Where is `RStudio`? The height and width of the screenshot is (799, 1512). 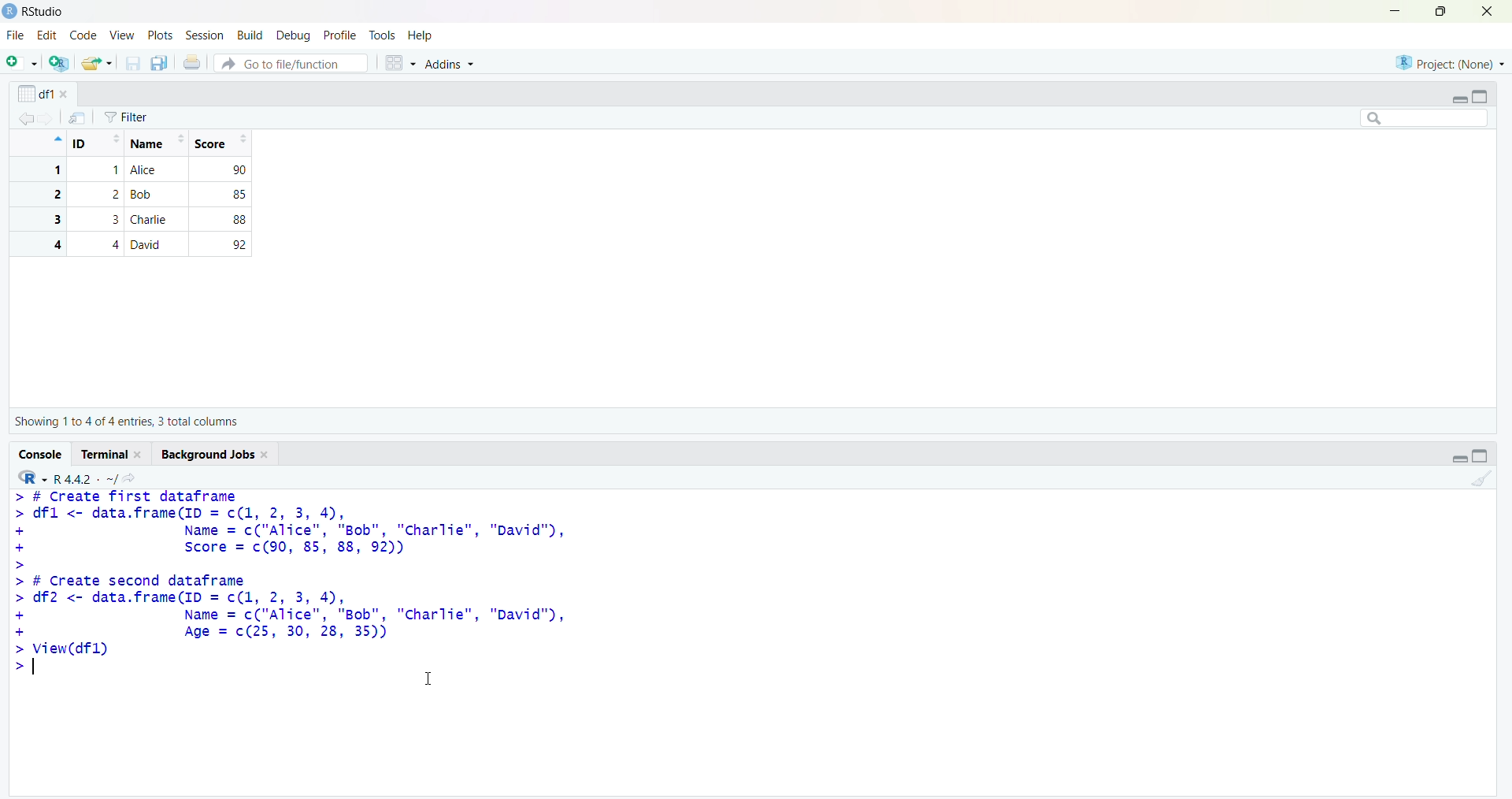
RStudio is located at coordinates (45, 12).